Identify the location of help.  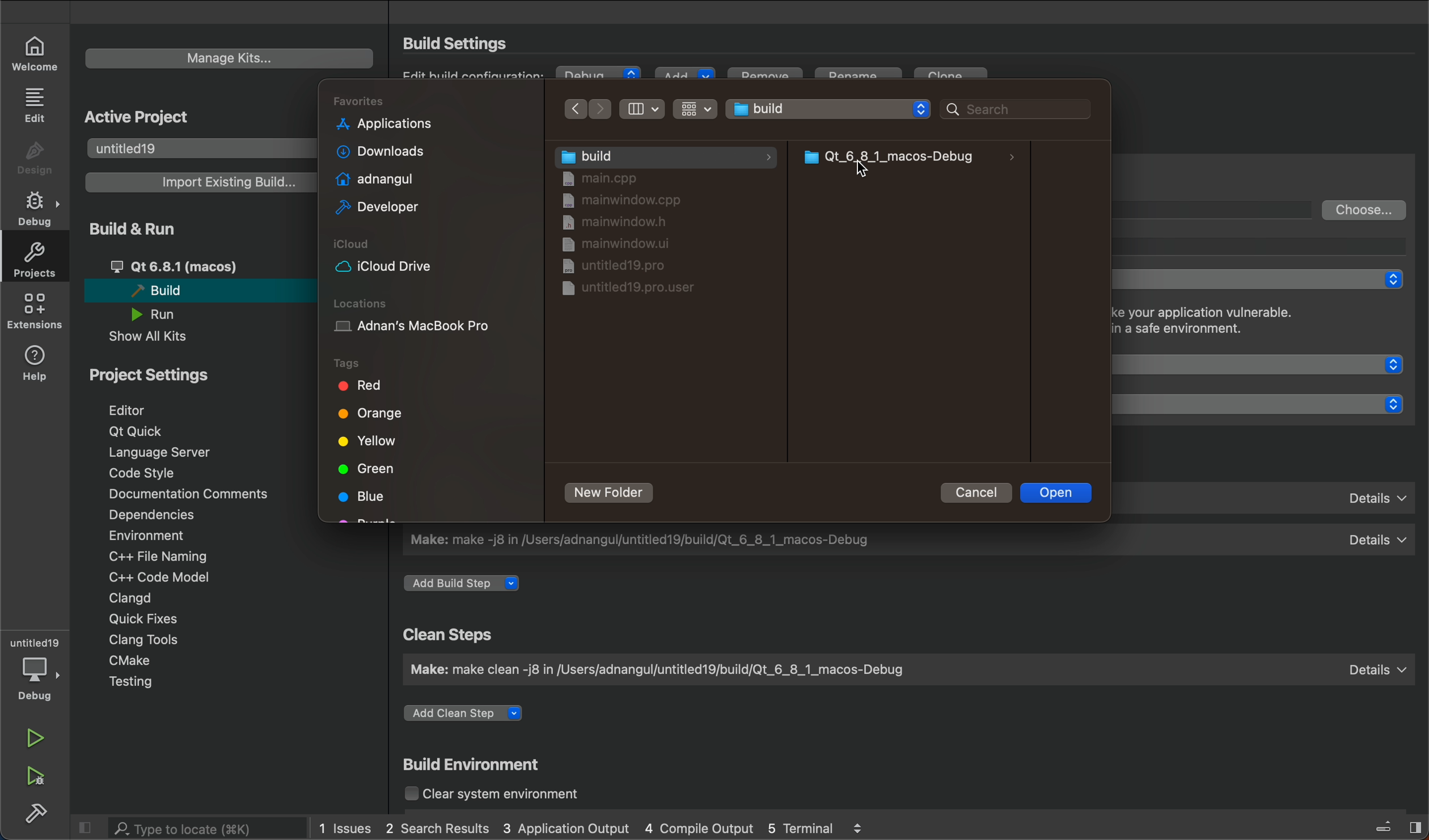
(37, 361).